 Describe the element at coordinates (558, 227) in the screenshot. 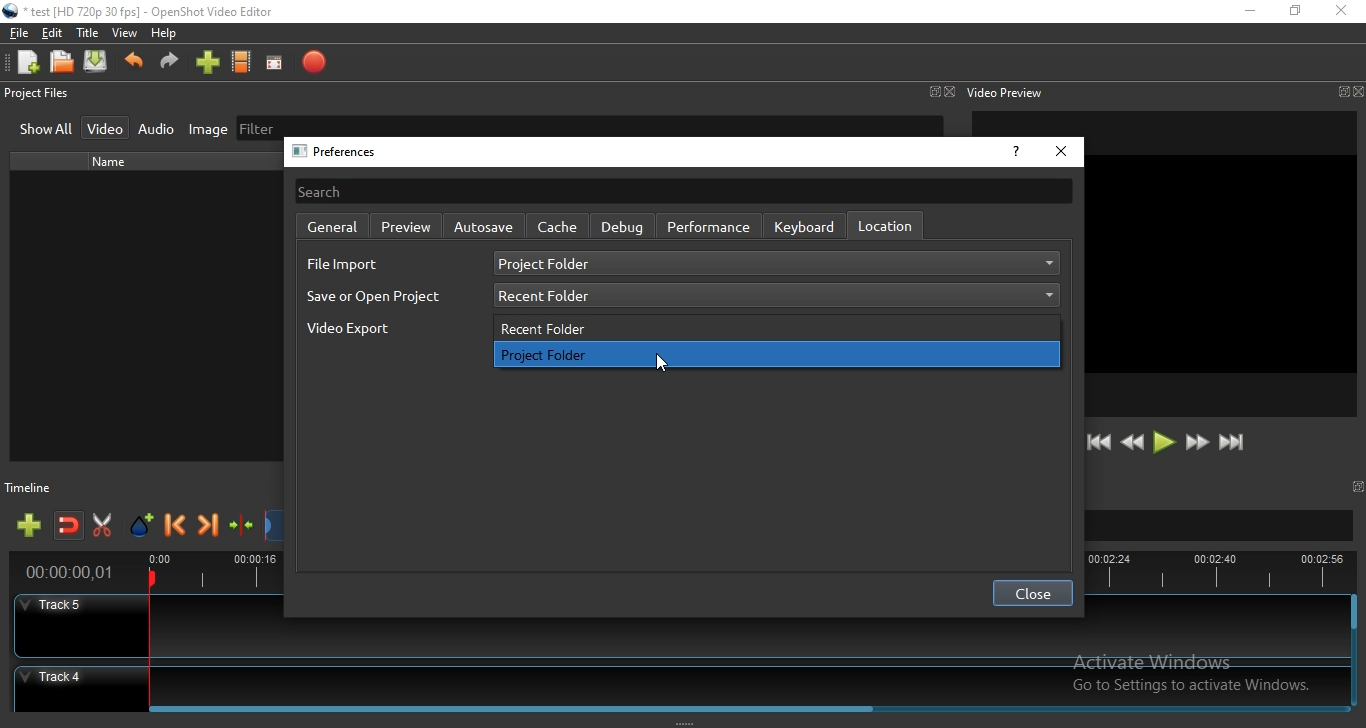

I see `cache` at that location.